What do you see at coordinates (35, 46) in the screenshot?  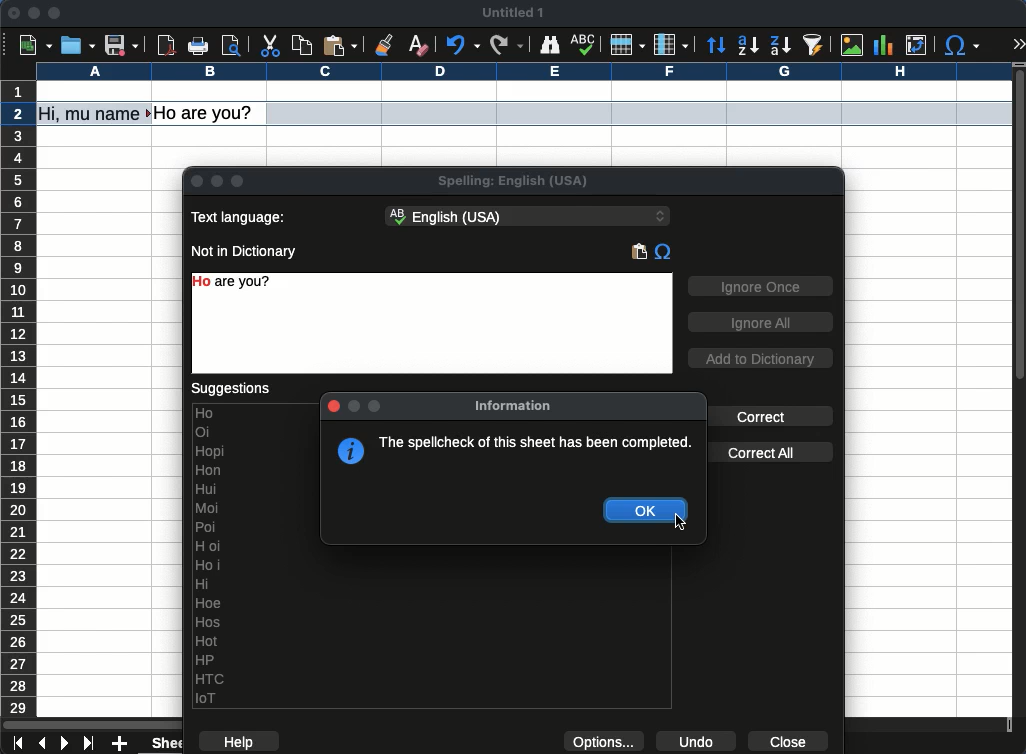 I see `new` at bounding box center [35, 46].